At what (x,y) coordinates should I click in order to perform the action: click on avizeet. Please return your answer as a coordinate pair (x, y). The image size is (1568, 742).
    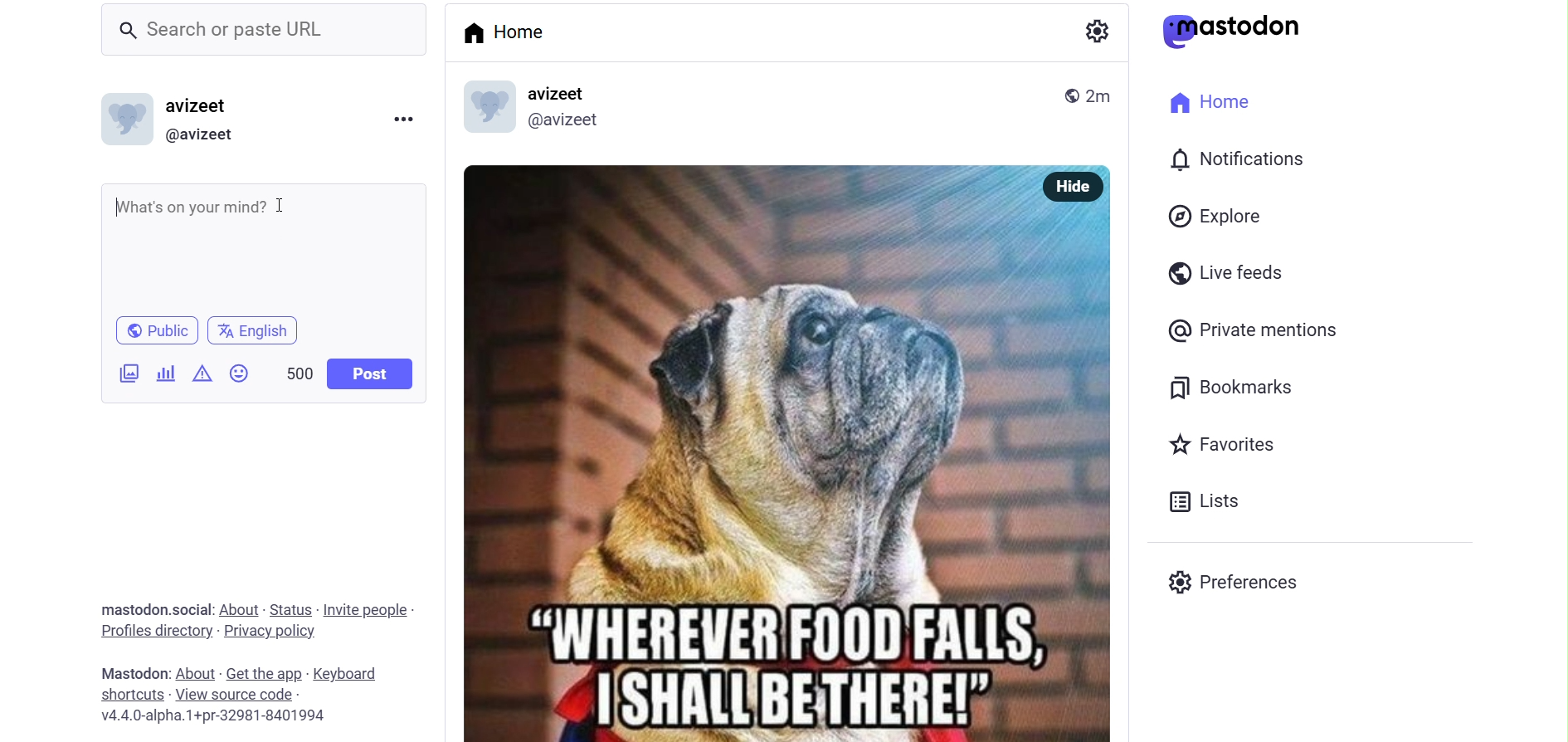
    Looking at the image, I should click on (196, 108).